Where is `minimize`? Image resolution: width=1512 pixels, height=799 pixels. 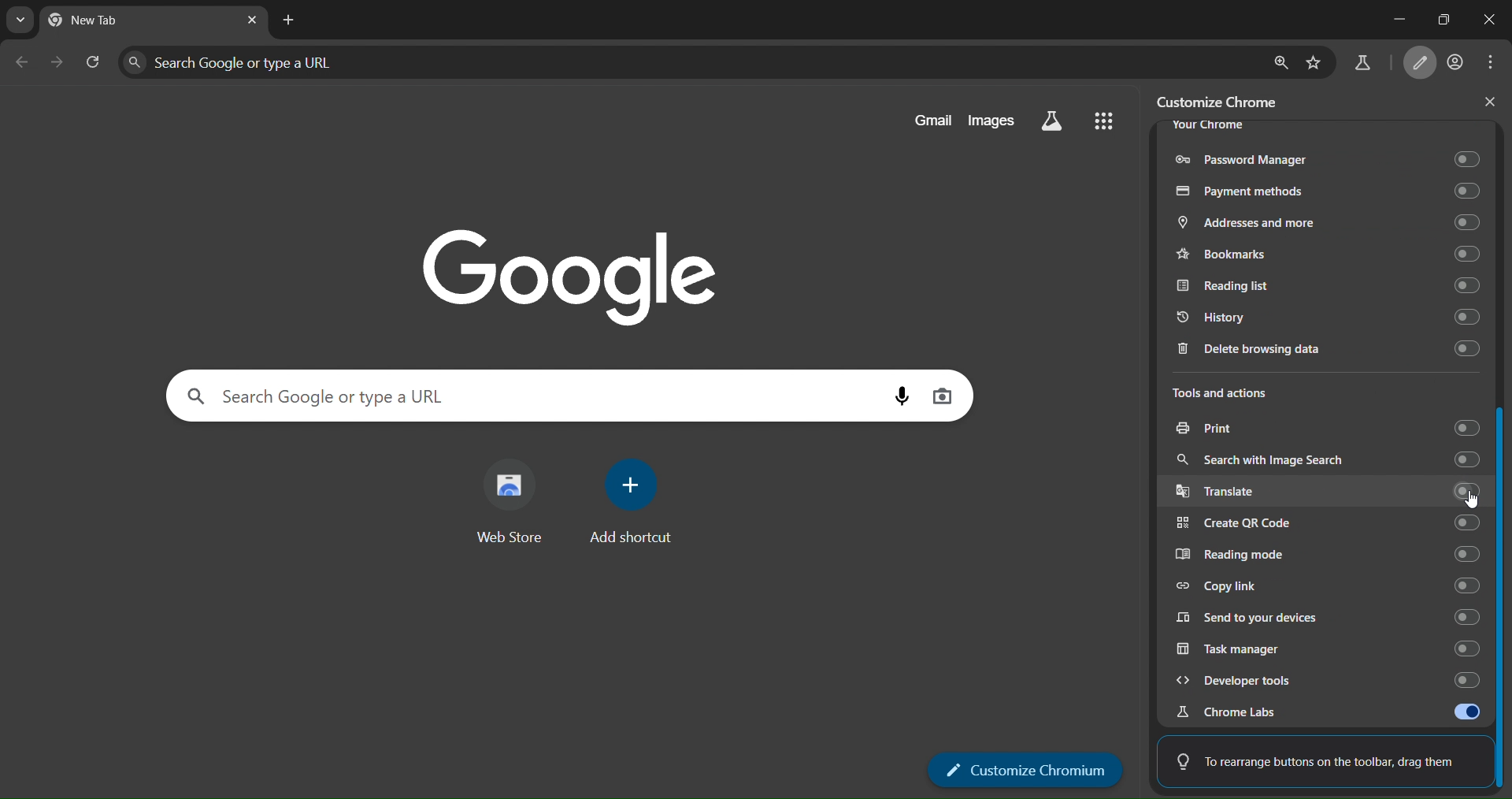 minimize is located at coordinates (1391, 18).